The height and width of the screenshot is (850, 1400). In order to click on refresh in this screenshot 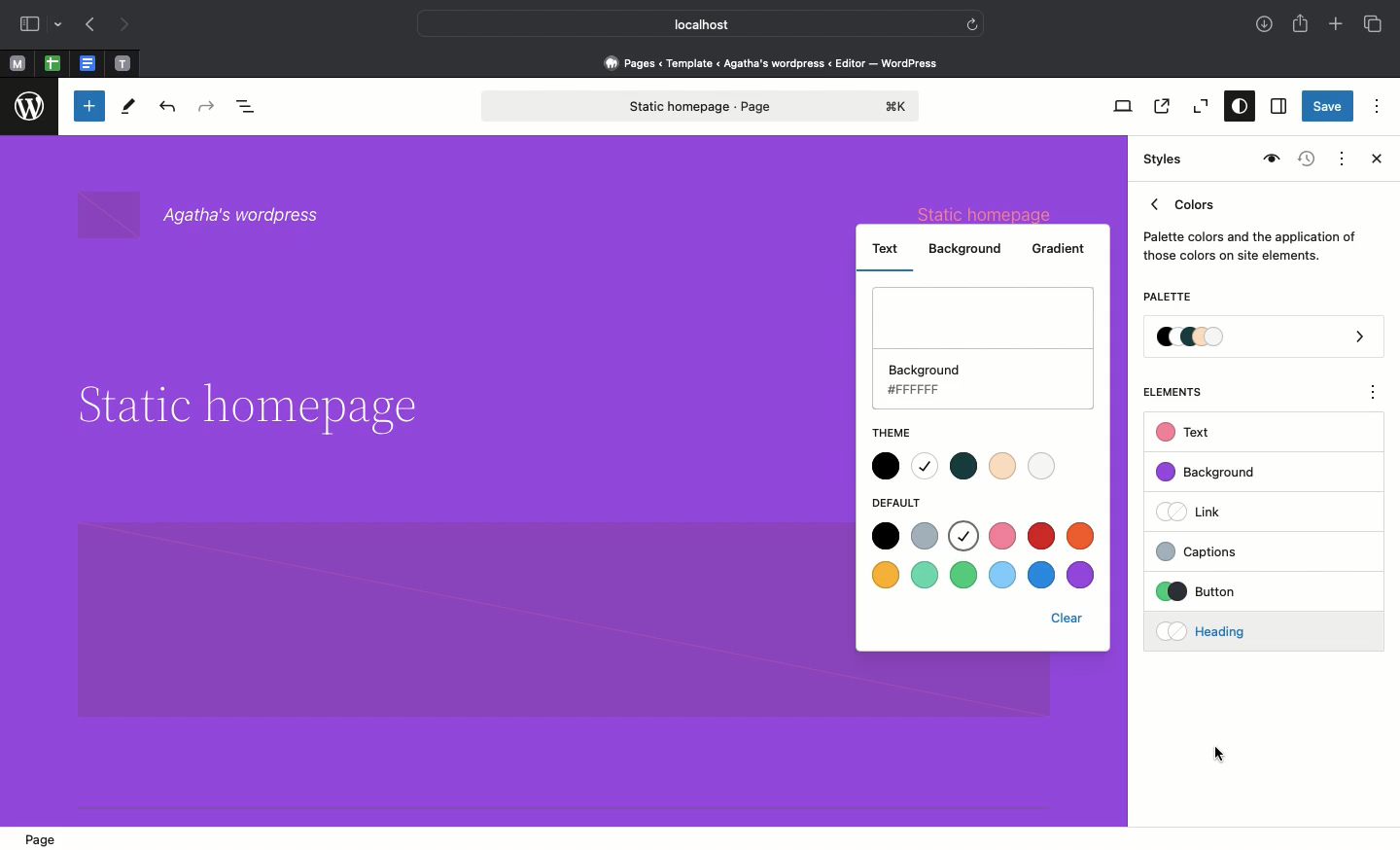, I will do `click(972, 22)`.